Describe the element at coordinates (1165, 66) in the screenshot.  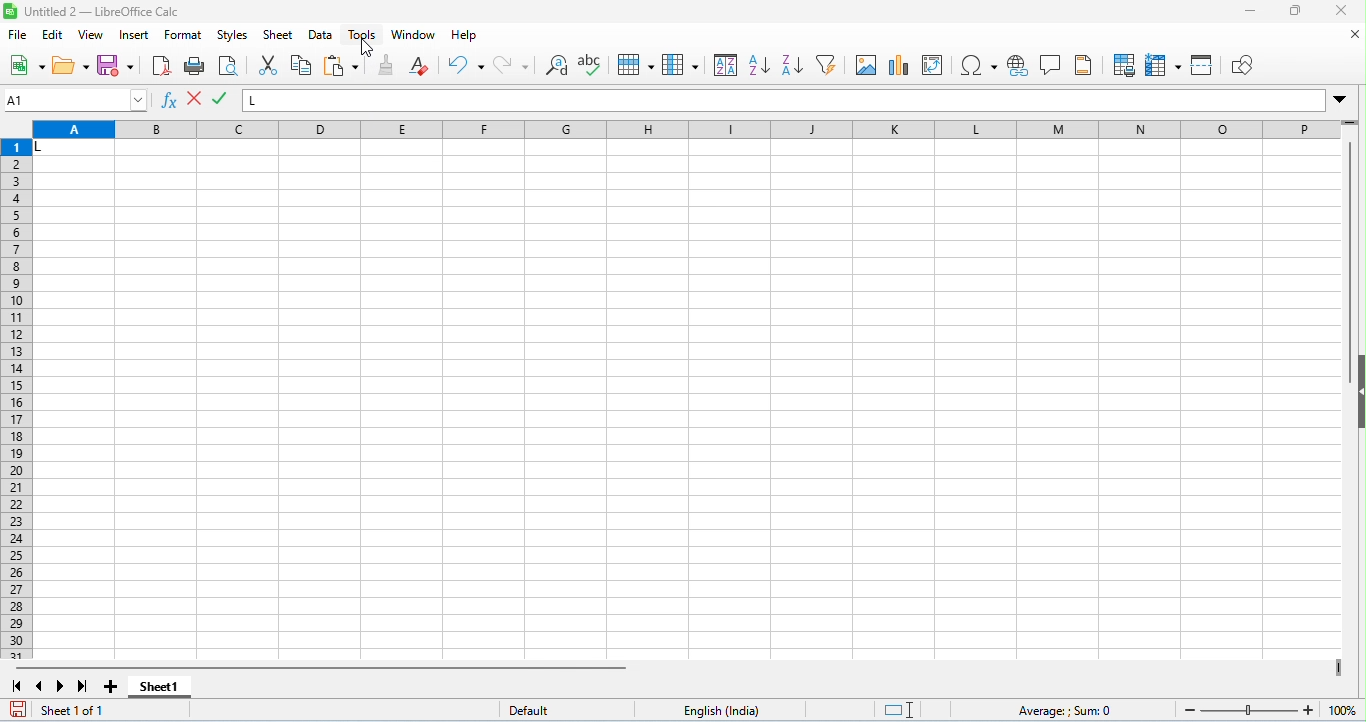
I see `freeze rows and columns` at that location.